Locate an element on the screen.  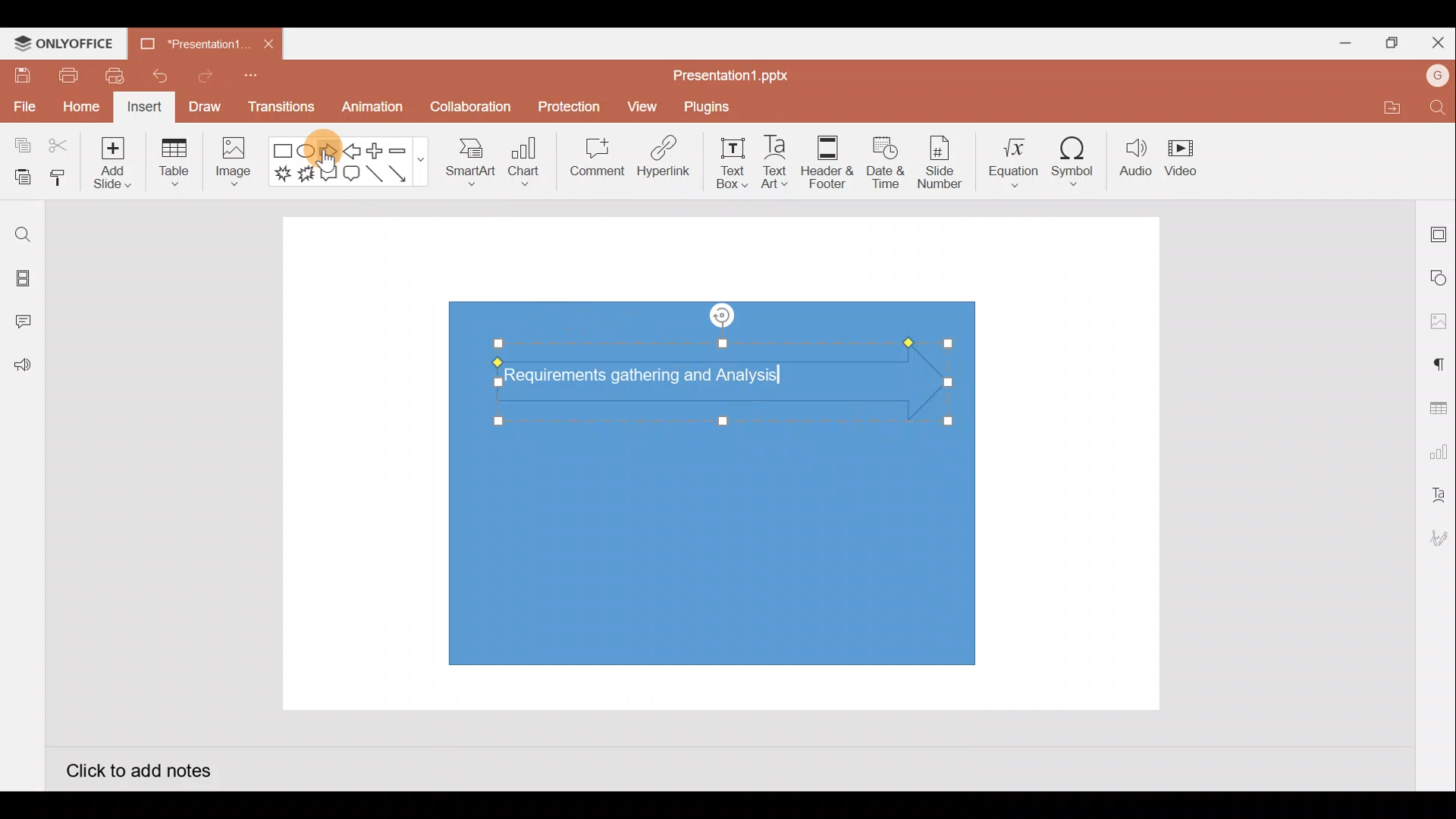
Redo is located at coordinates (199, 75).